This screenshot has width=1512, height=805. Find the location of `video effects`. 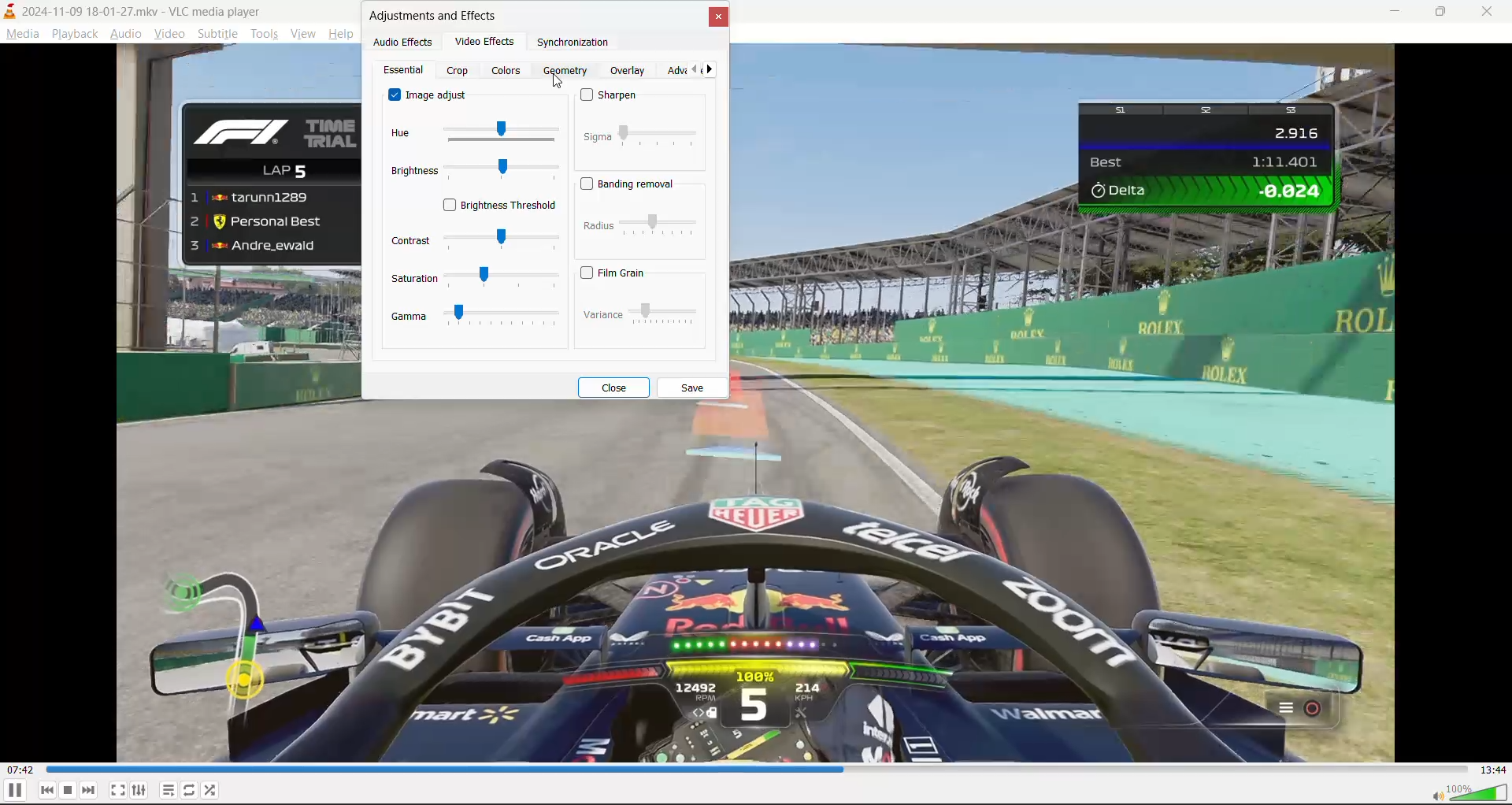

video effects is located at coordinates (489, 42).